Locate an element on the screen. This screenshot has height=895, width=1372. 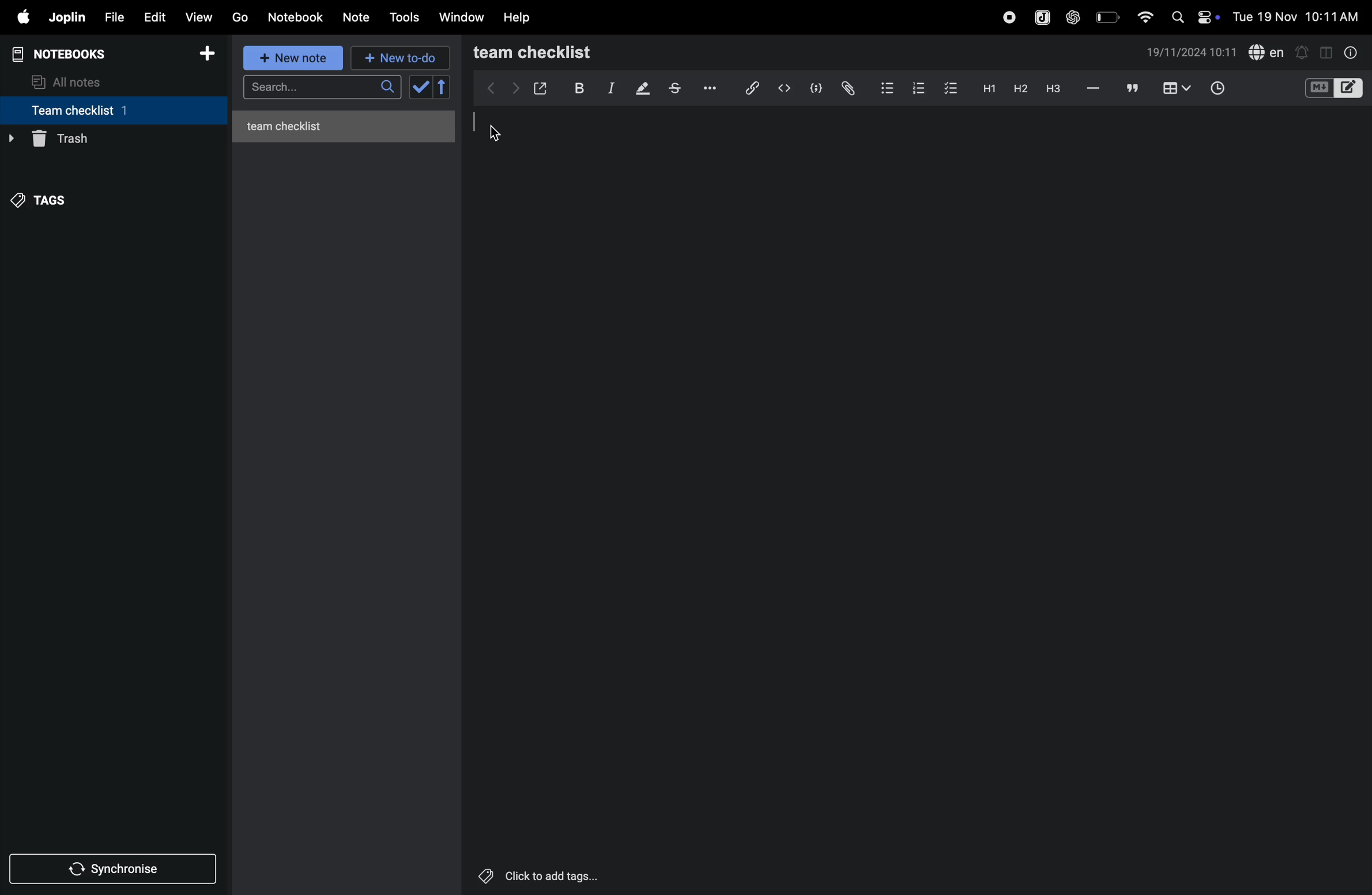
view is located at coordinates (201, 16).